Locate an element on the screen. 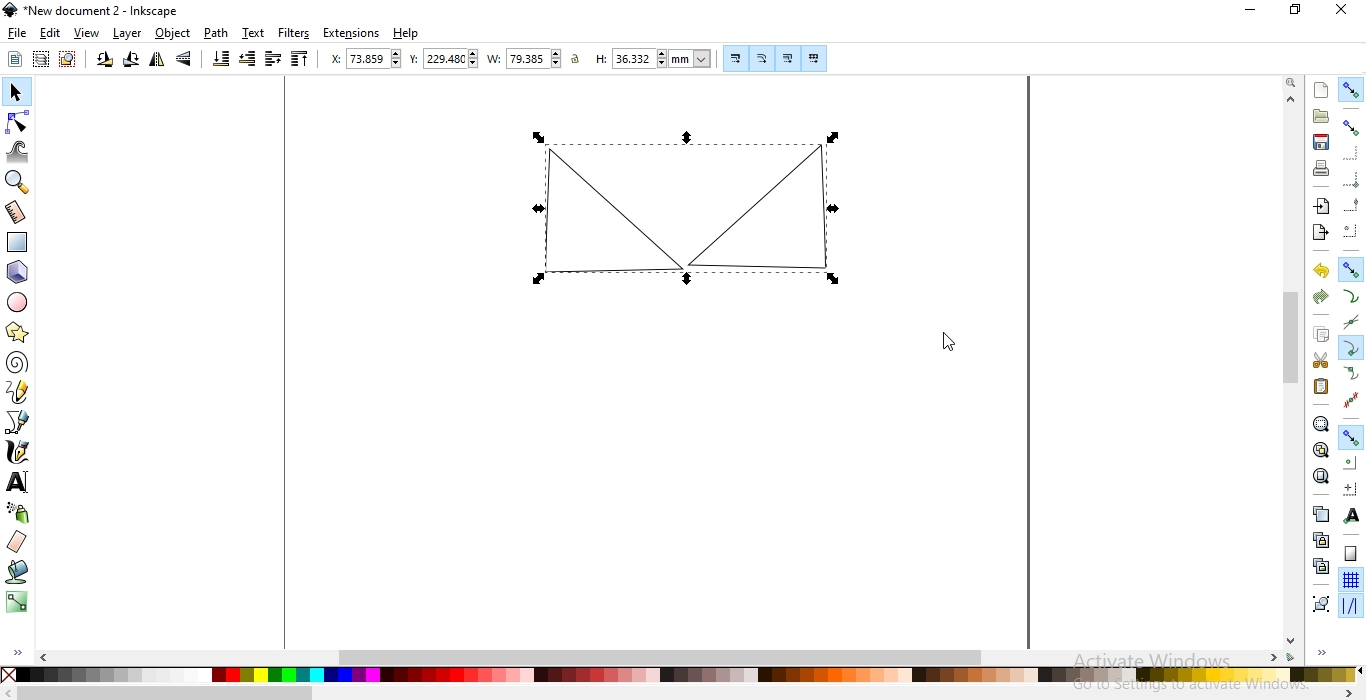  expand/hide sidebar is located at coordinates (14, 651).